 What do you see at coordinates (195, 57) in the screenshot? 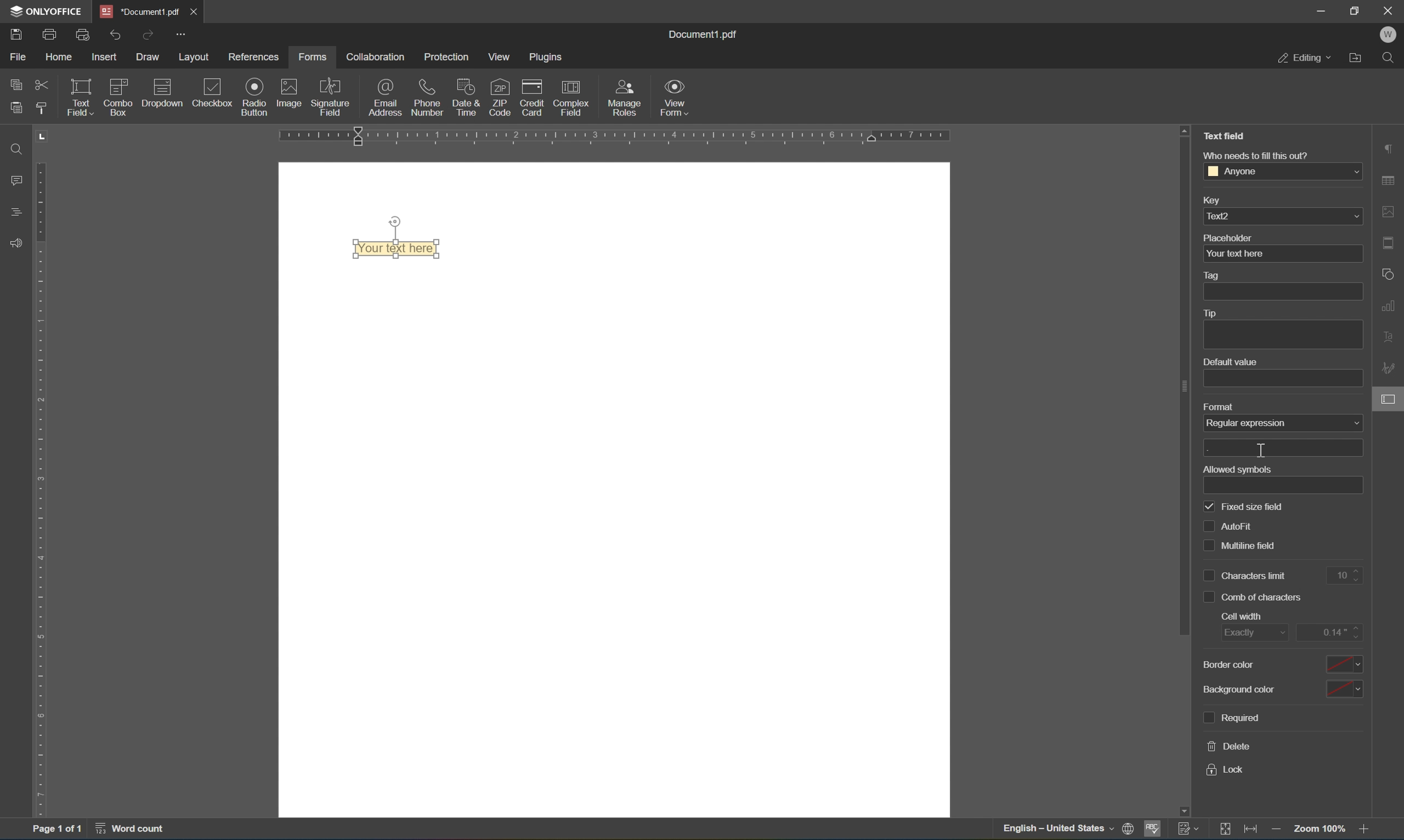
I see `layout` at bounding box center [195, 57].